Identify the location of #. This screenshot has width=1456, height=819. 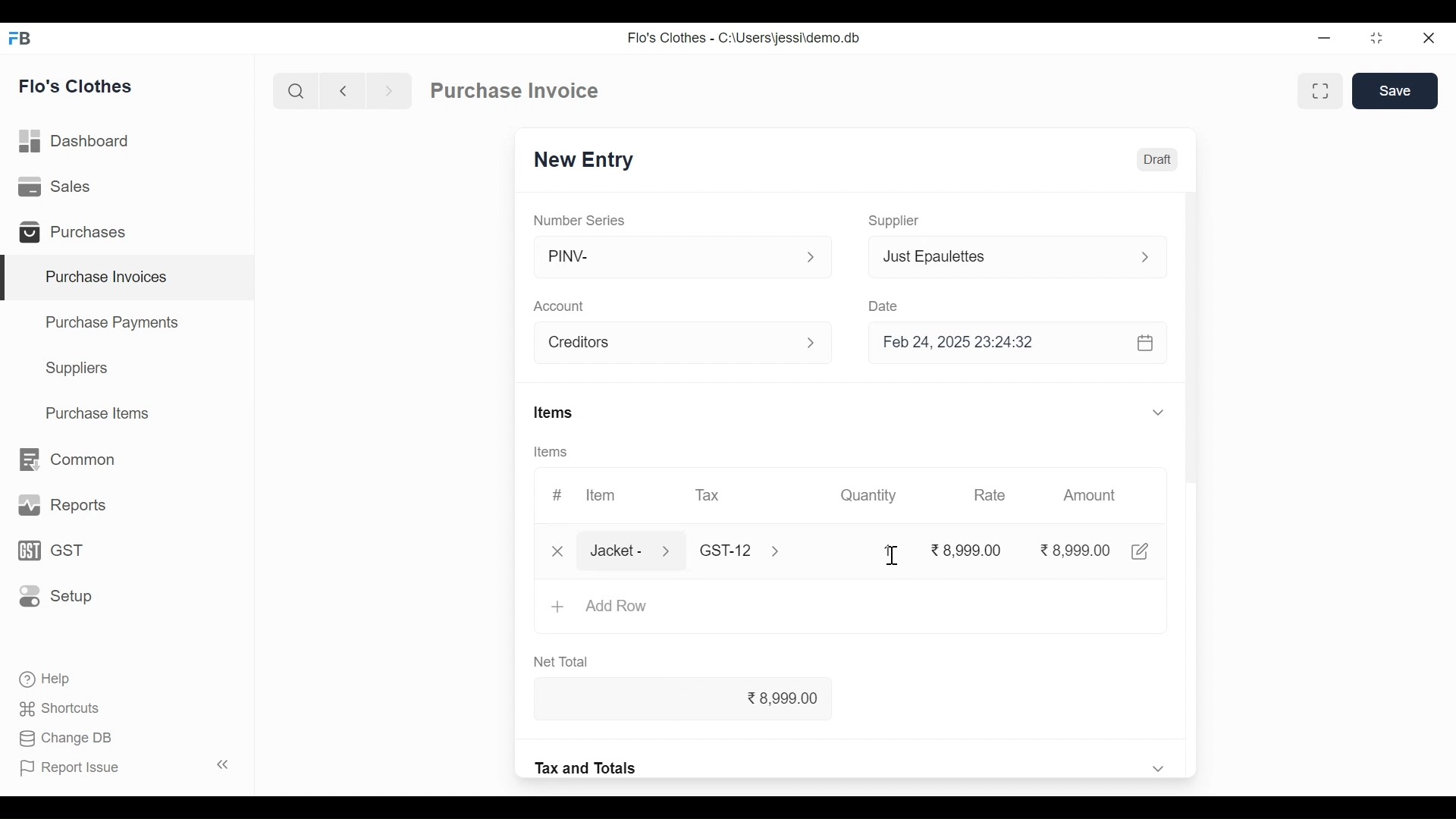
(558, 494).